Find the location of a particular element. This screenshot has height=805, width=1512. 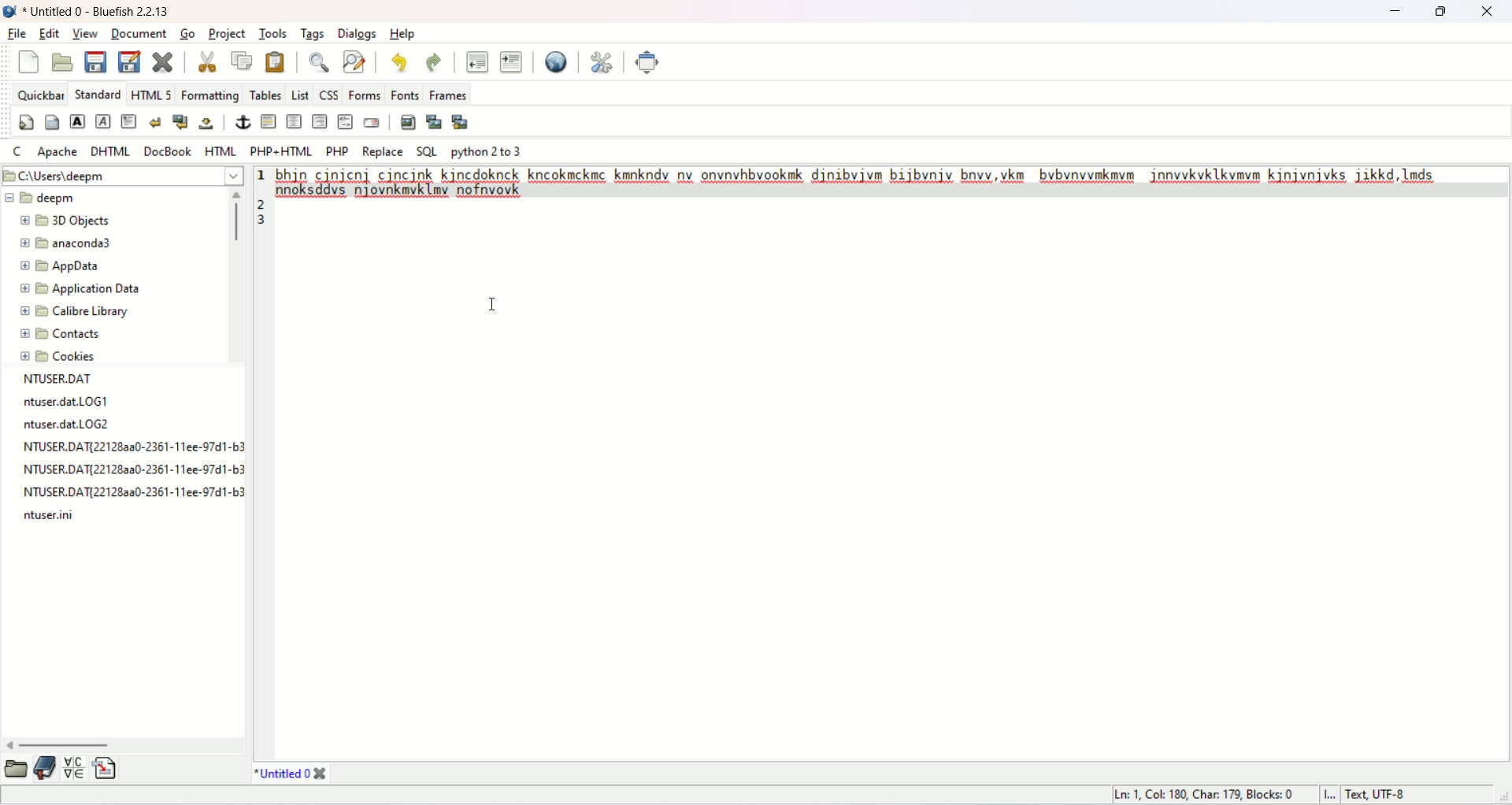

save file as is located at coordinates (130, 62).